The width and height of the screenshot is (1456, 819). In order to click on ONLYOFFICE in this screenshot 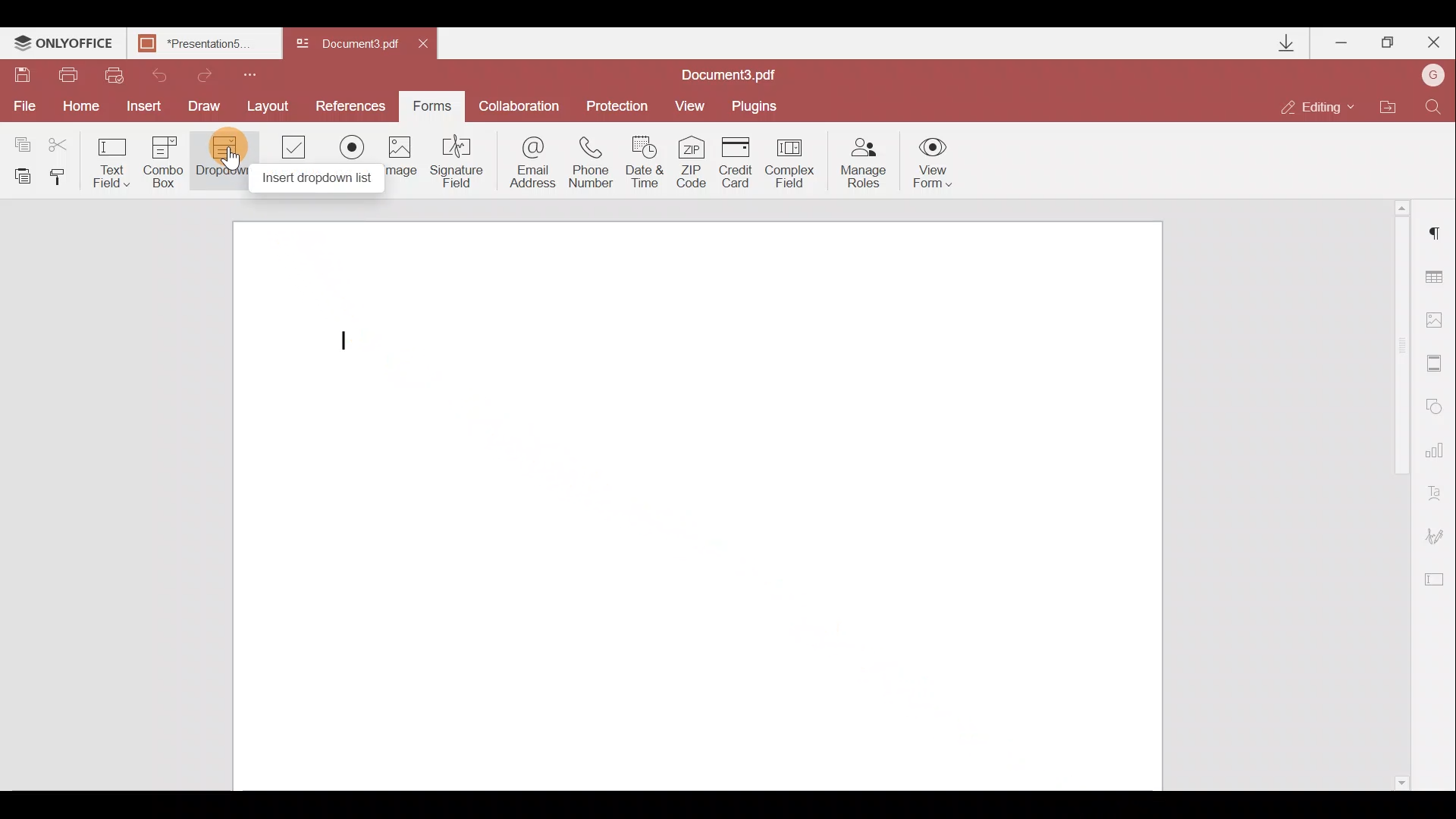, I will do `click(64, 45)`.